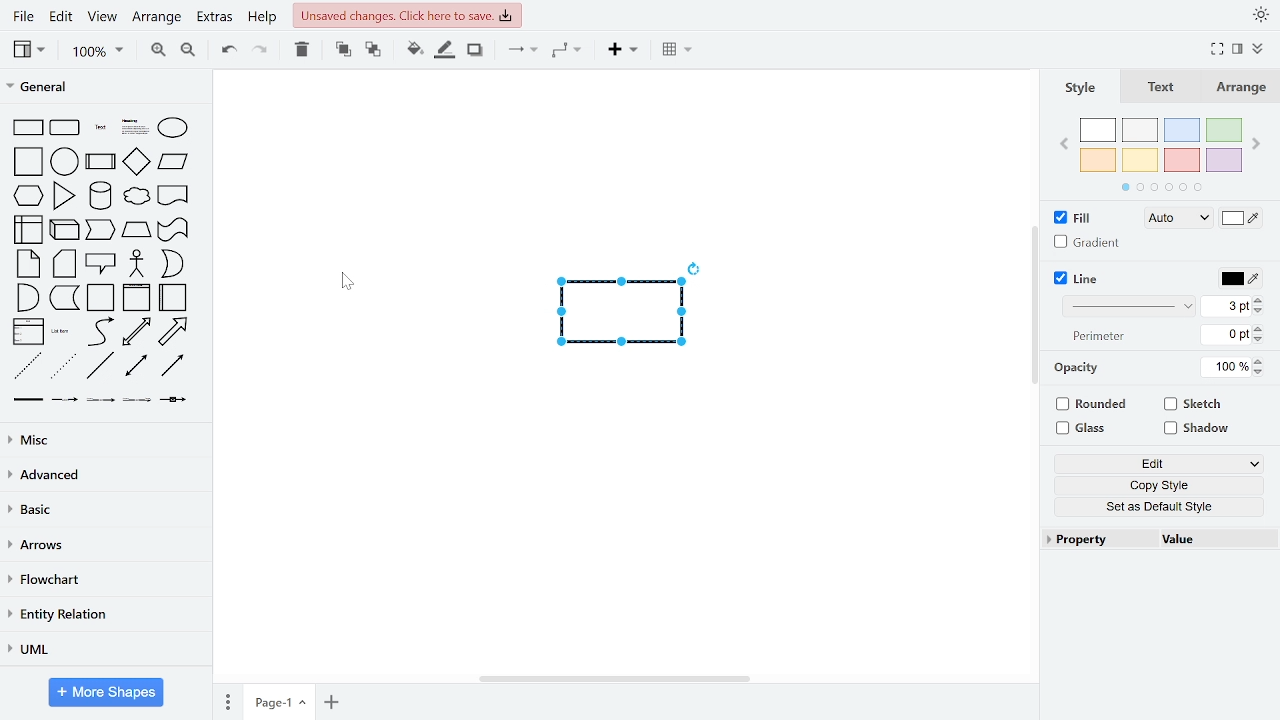  What do you see at coordinates (1259, 328) in the screenshot?
I see `increase perimeter` at bounding box center [1259, 328].